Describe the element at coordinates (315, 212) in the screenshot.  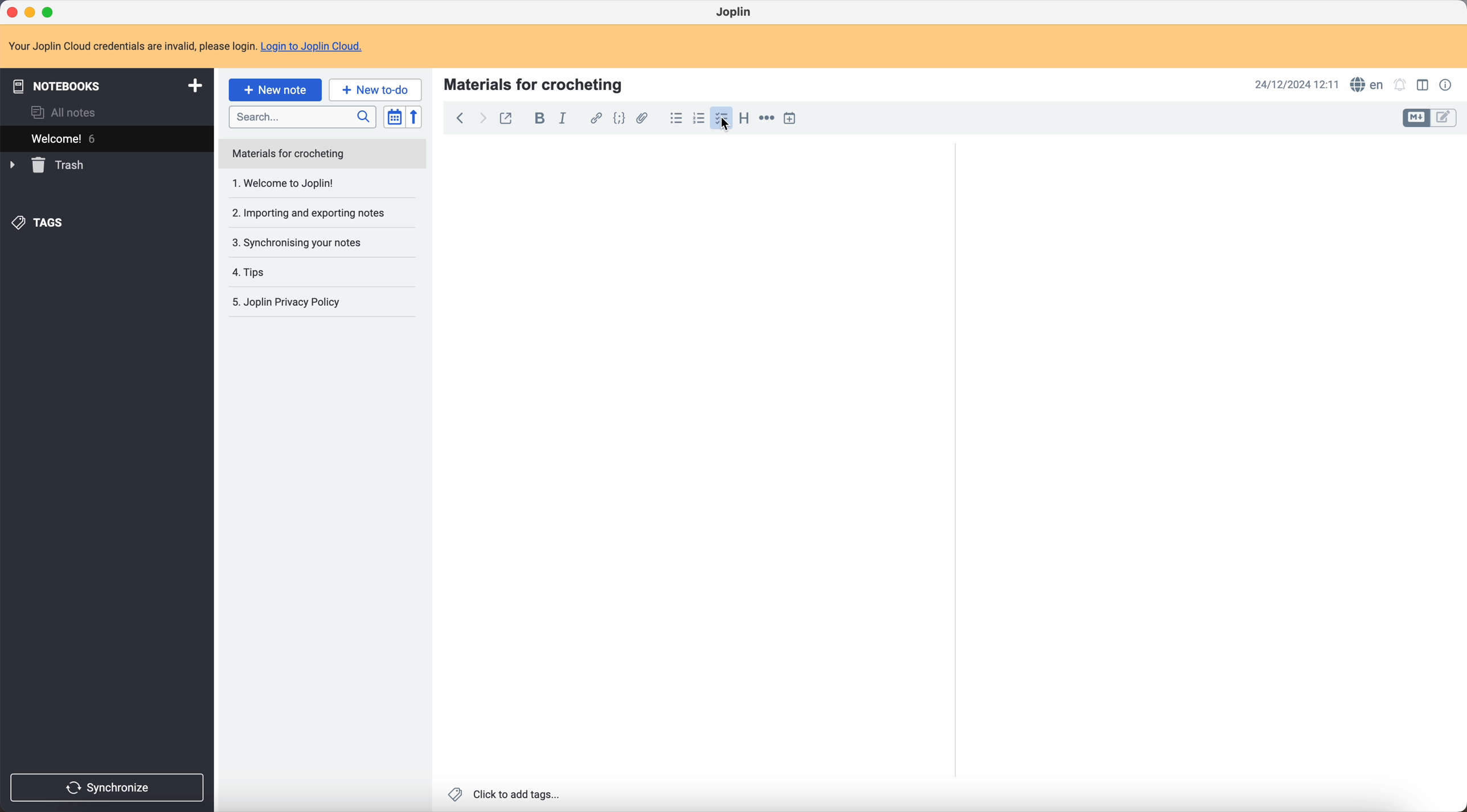
I see `importing and exporting notes` at that location.